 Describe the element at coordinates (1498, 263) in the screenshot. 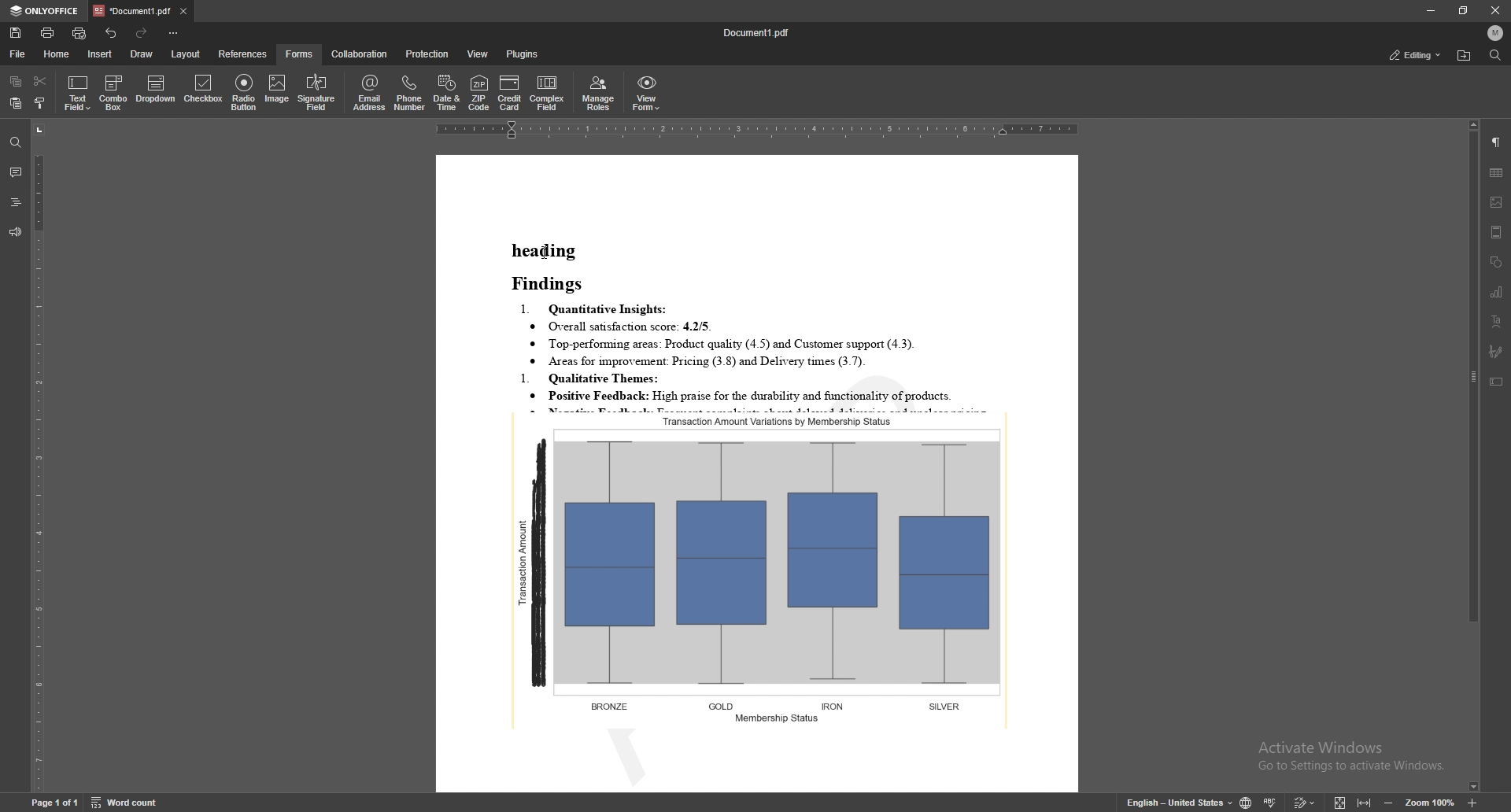

I see `shapes` at that location.